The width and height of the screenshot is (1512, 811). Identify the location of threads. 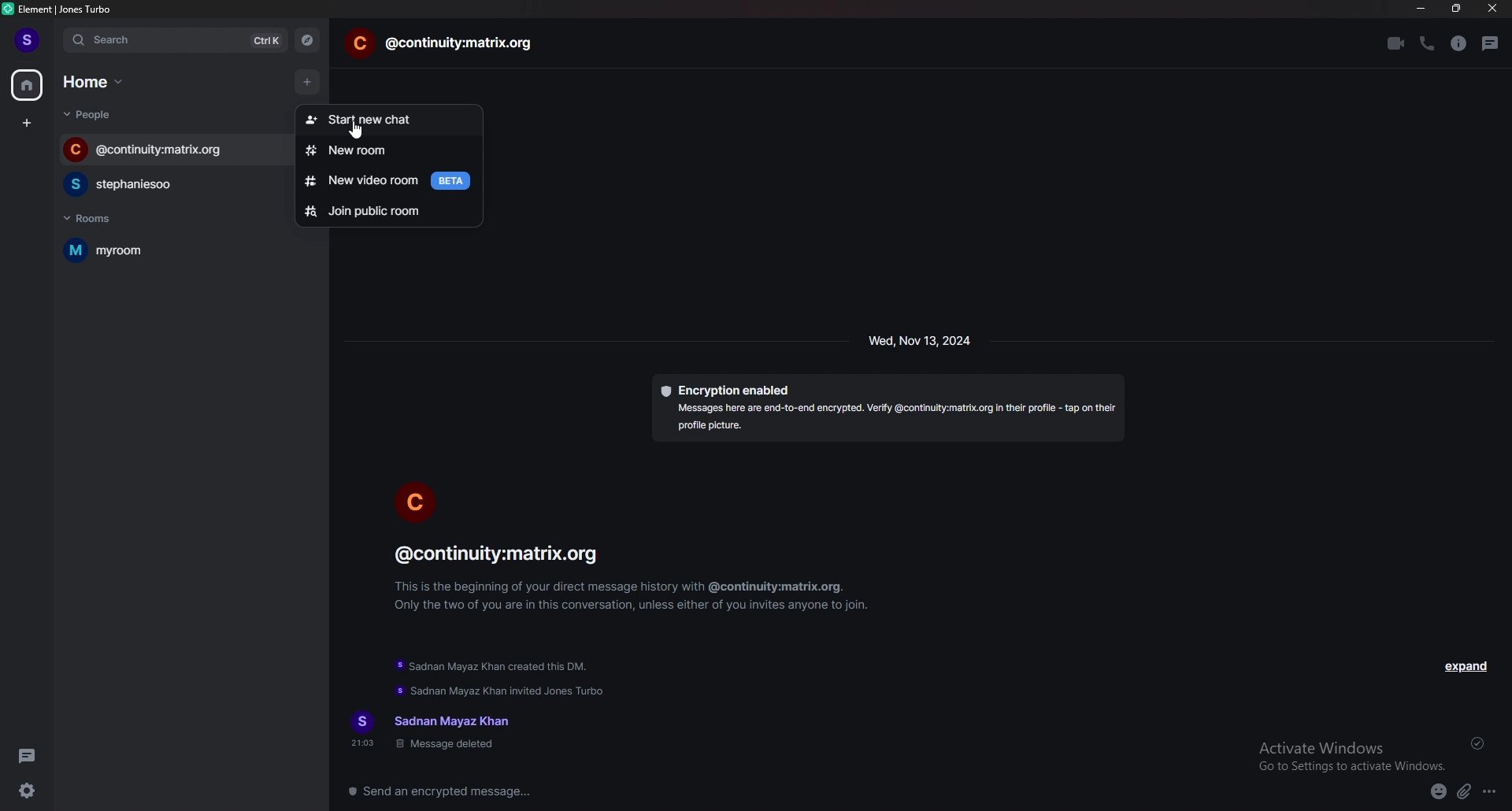
(1491, 43).